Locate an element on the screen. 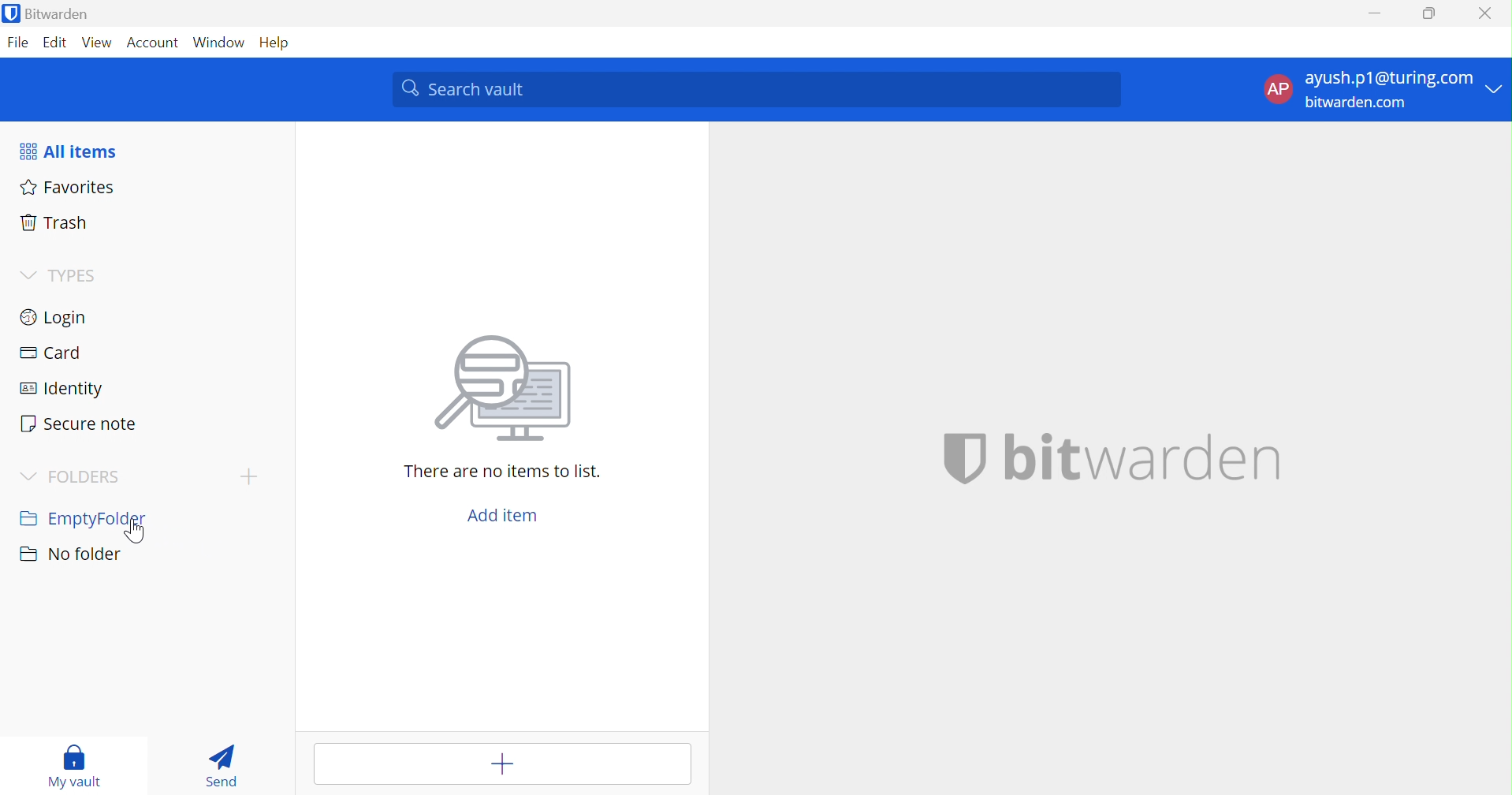  No folder is located at coordinates (73, 554).